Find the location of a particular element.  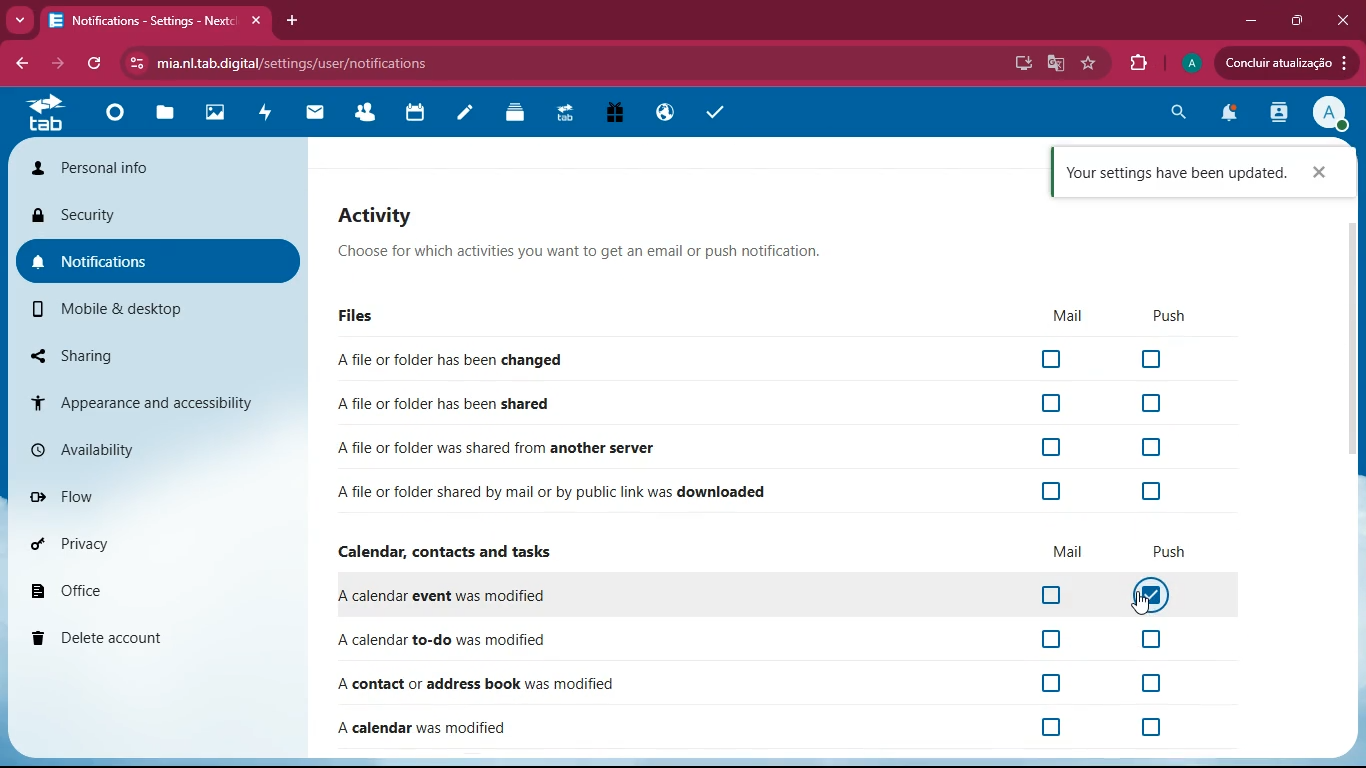

off is located at coordinates (1132, 684).